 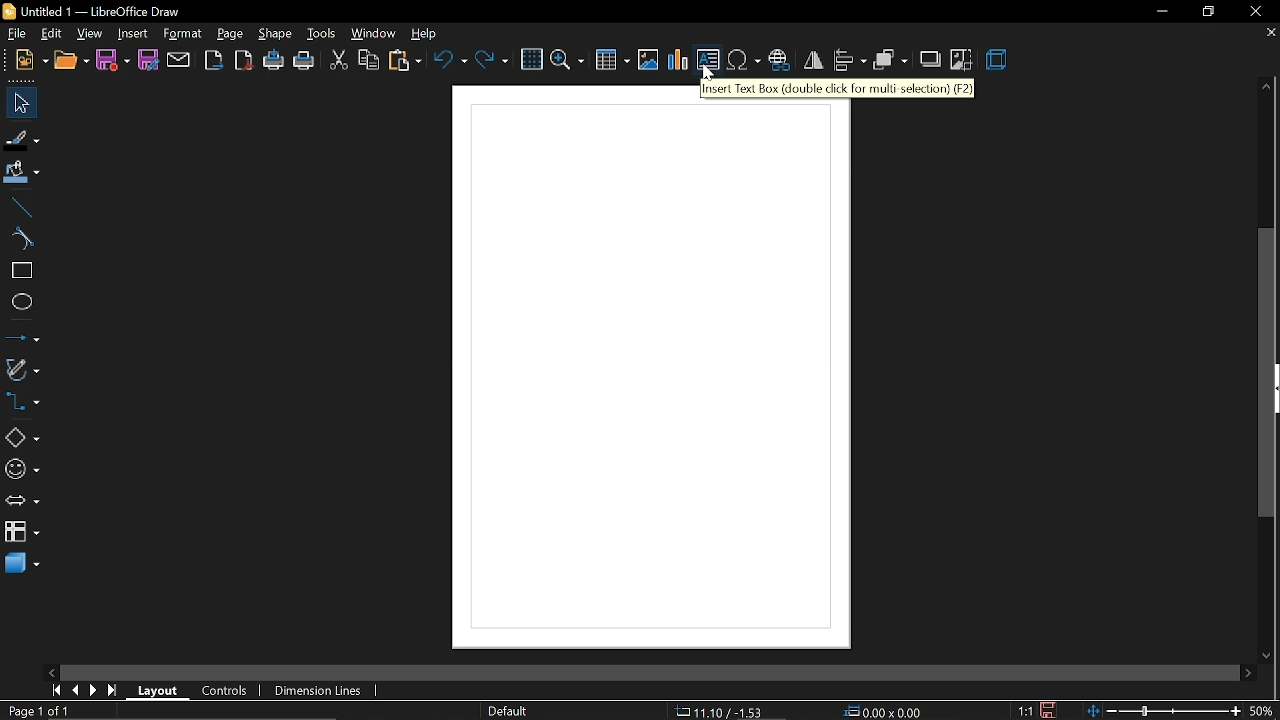 I want to click on fill line, so click(x=23, y=139).